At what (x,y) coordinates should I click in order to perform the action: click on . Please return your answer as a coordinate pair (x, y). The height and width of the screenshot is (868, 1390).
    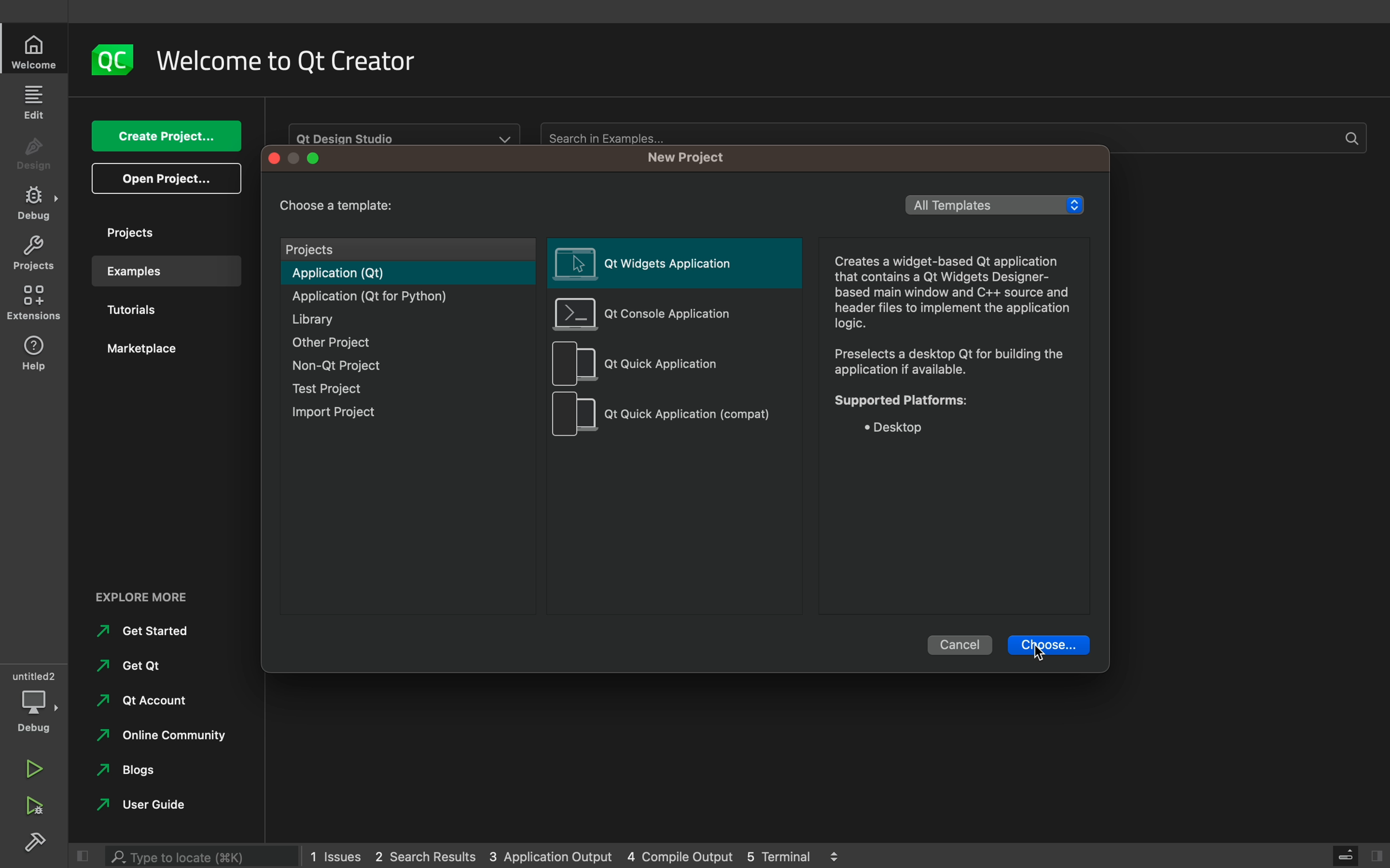
    Looking at the image, I should click on (38, 844).